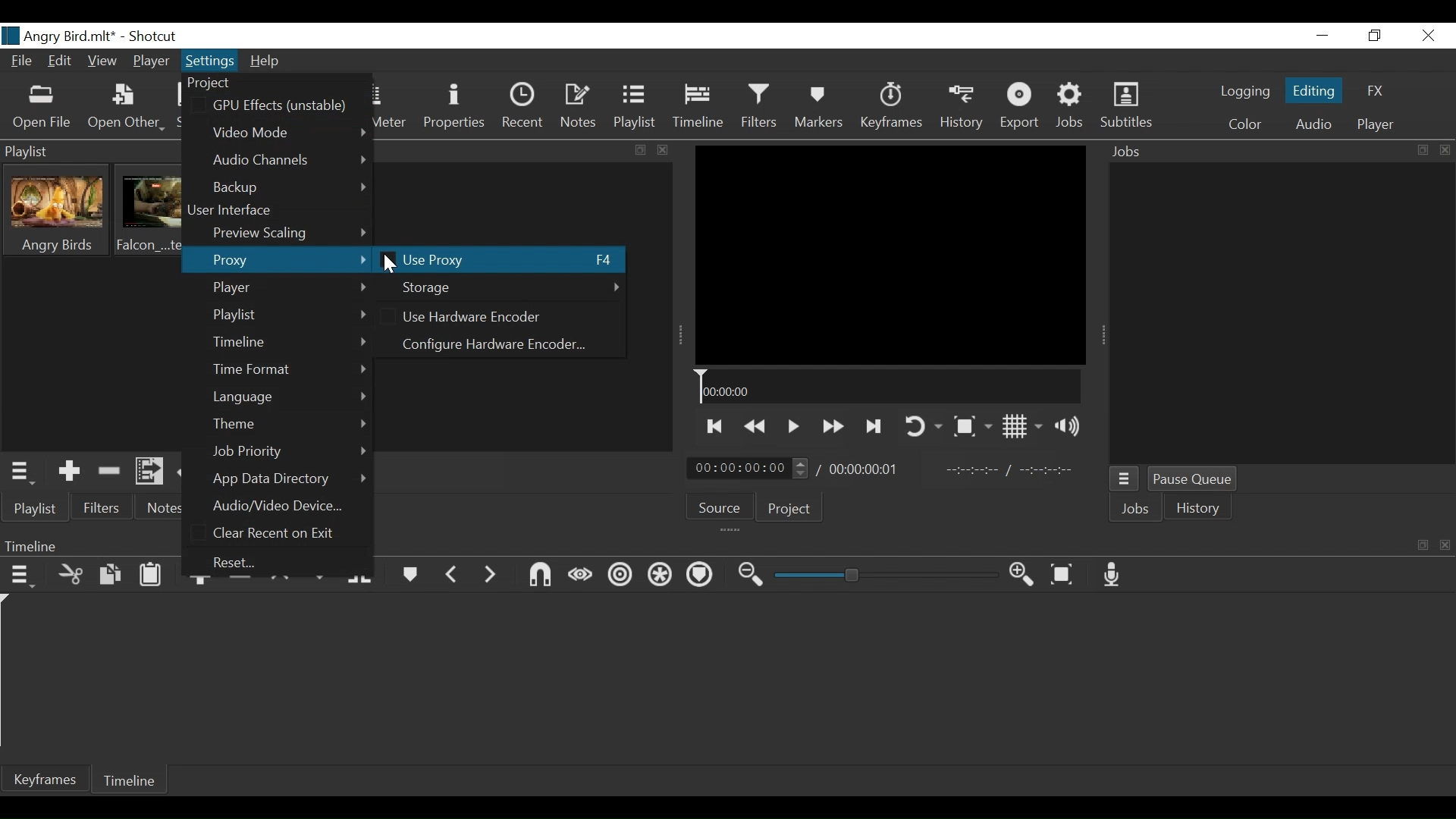 The image size is (1456, 819). Describe the element at coordinates (102, 507) in the screenshot. I see `Filter` at that location.